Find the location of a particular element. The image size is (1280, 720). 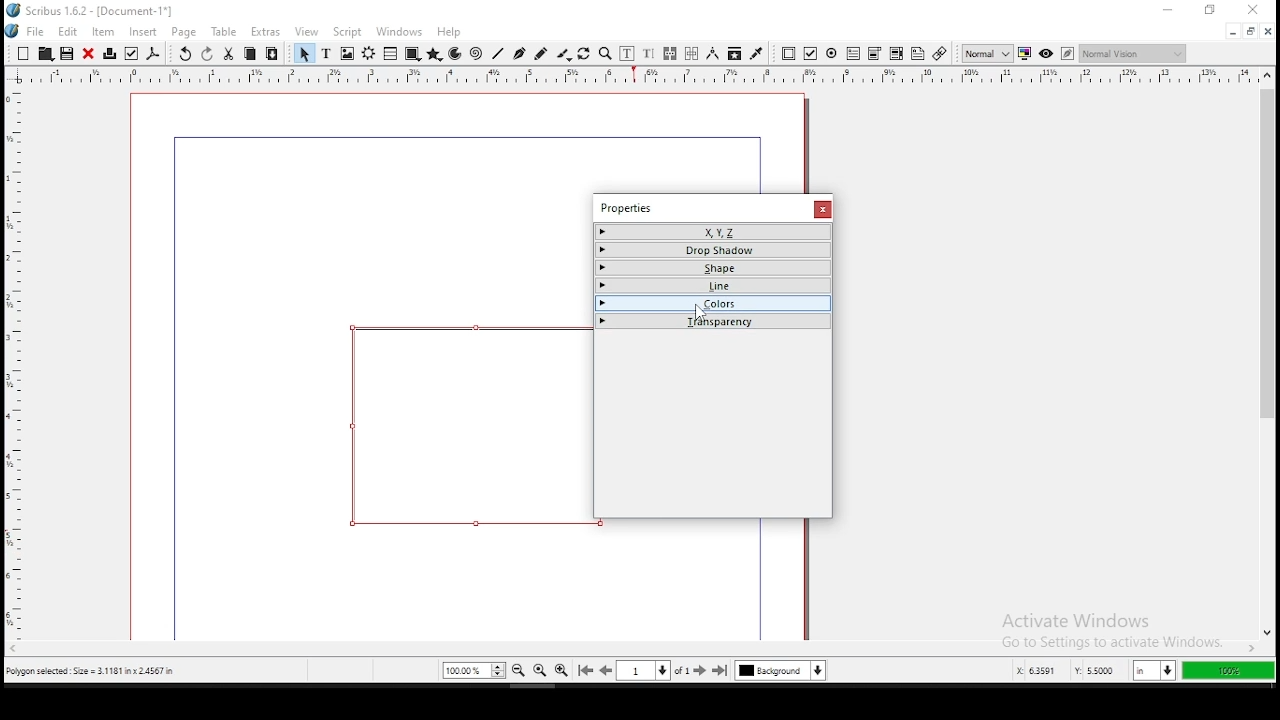

text is located at coordinates (327, 53).